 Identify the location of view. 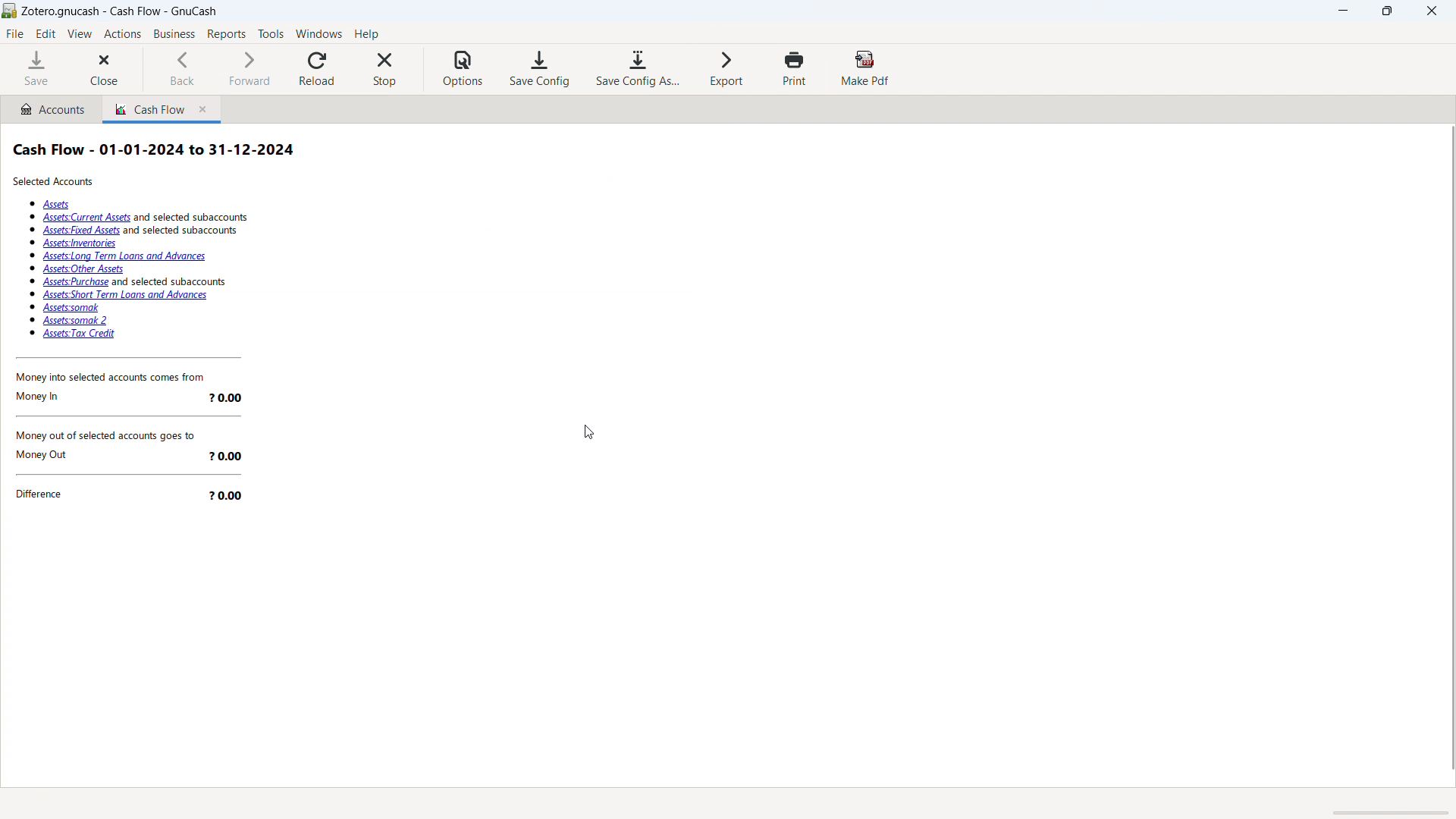
(80, 33).